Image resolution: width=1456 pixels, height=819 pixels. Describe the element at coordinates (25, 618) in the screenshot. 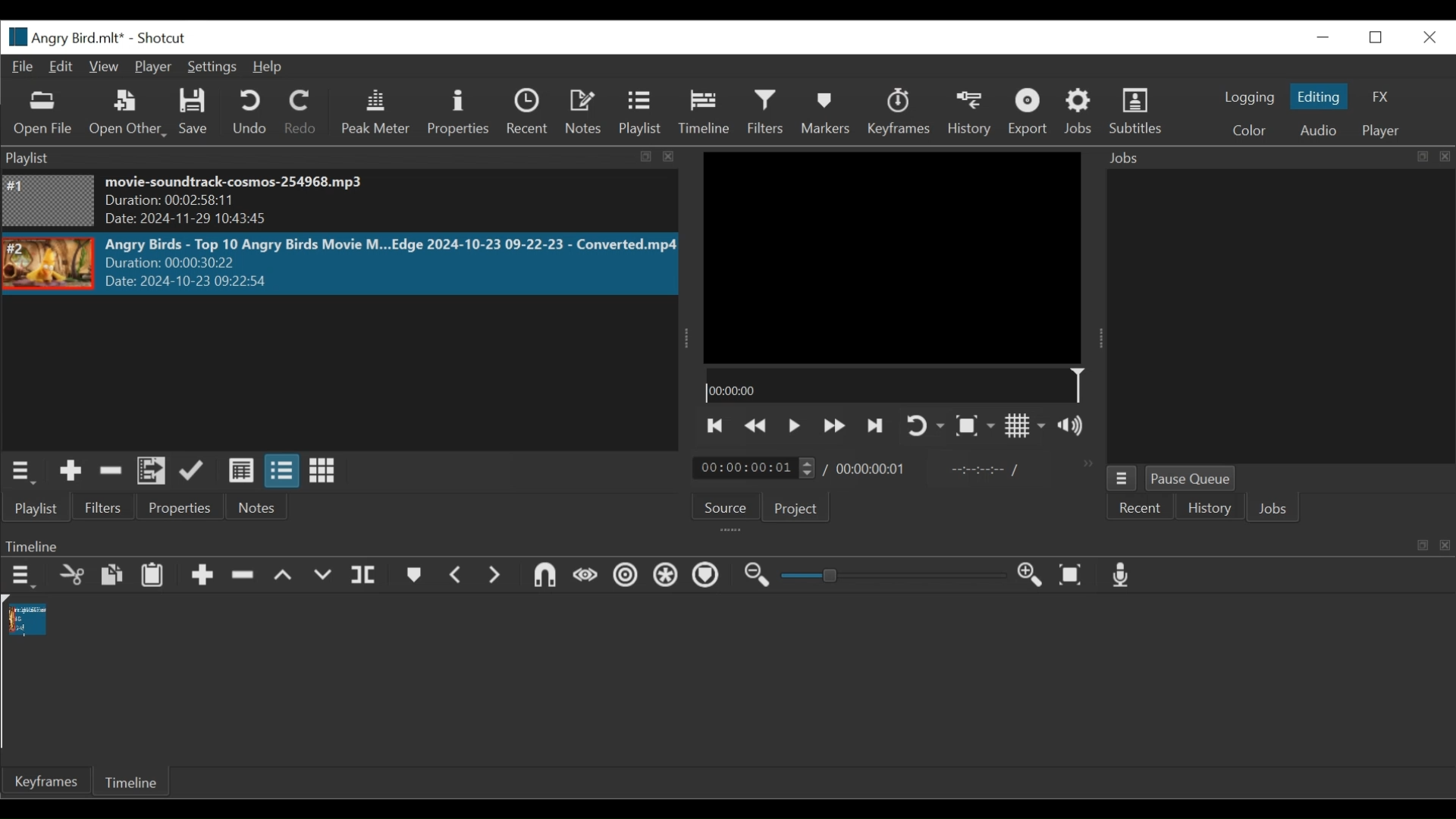

I see `Clip` at that location.